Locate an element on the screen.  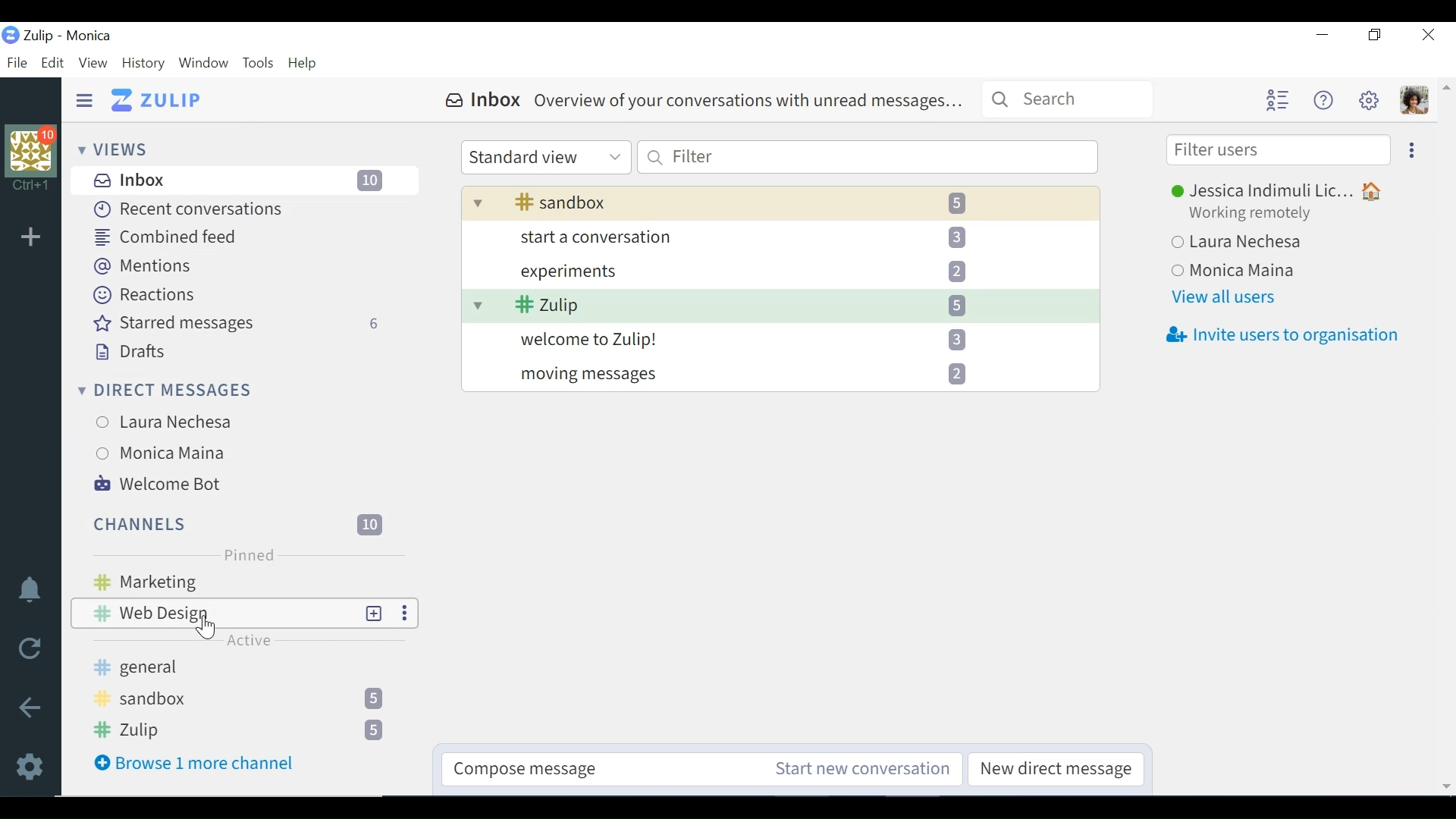
Invite users to organisation is located at coordinates (1285, 337).